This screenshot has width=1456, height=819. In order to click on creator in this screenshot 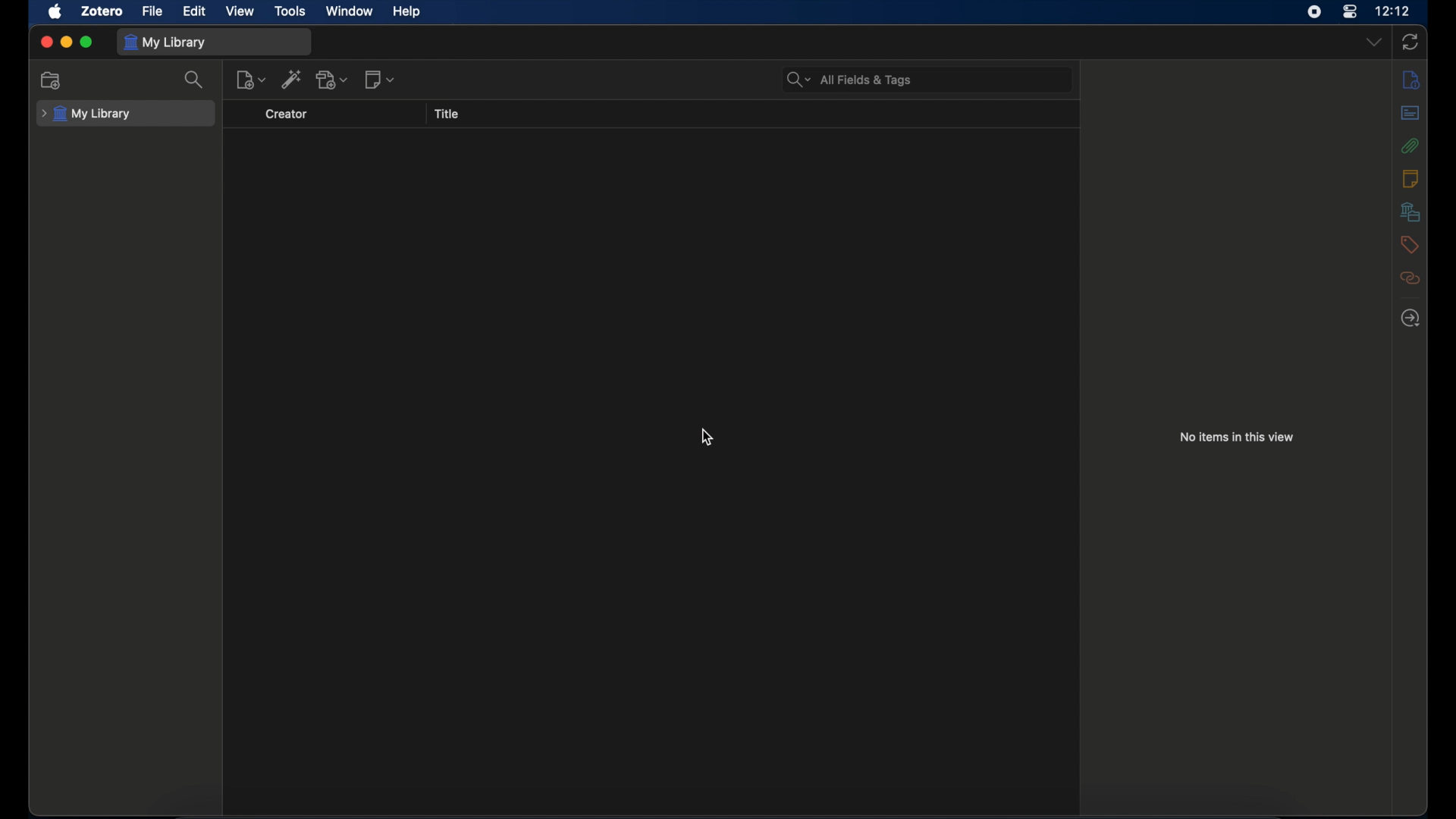, I will do `click(285, 114)`.